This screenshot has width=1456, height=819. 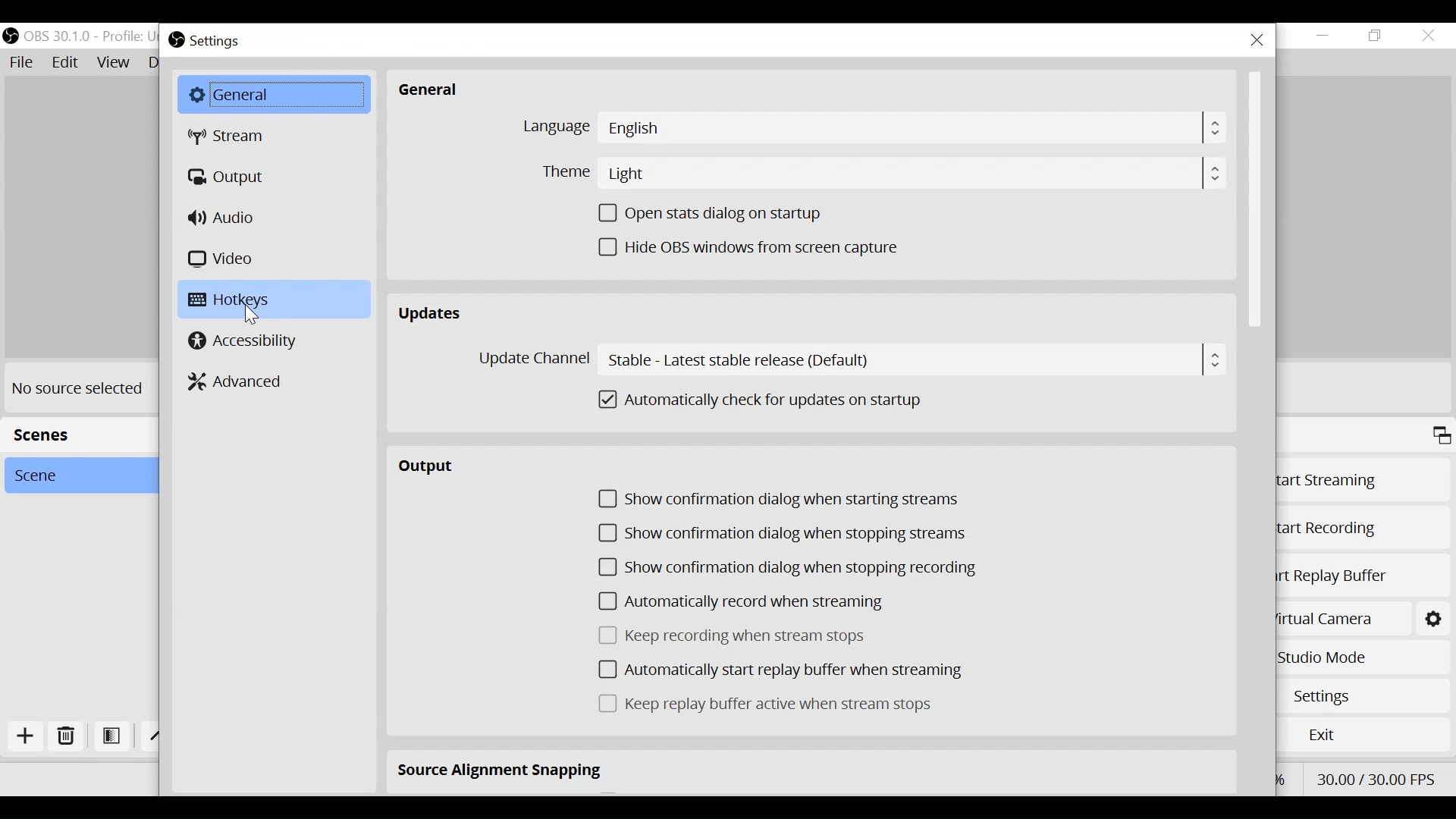 What do you see at coordinates (768, 400) in the screenshot?
I see `(un)check Automatically check for updates on startup` at bounding box center [768, 400].